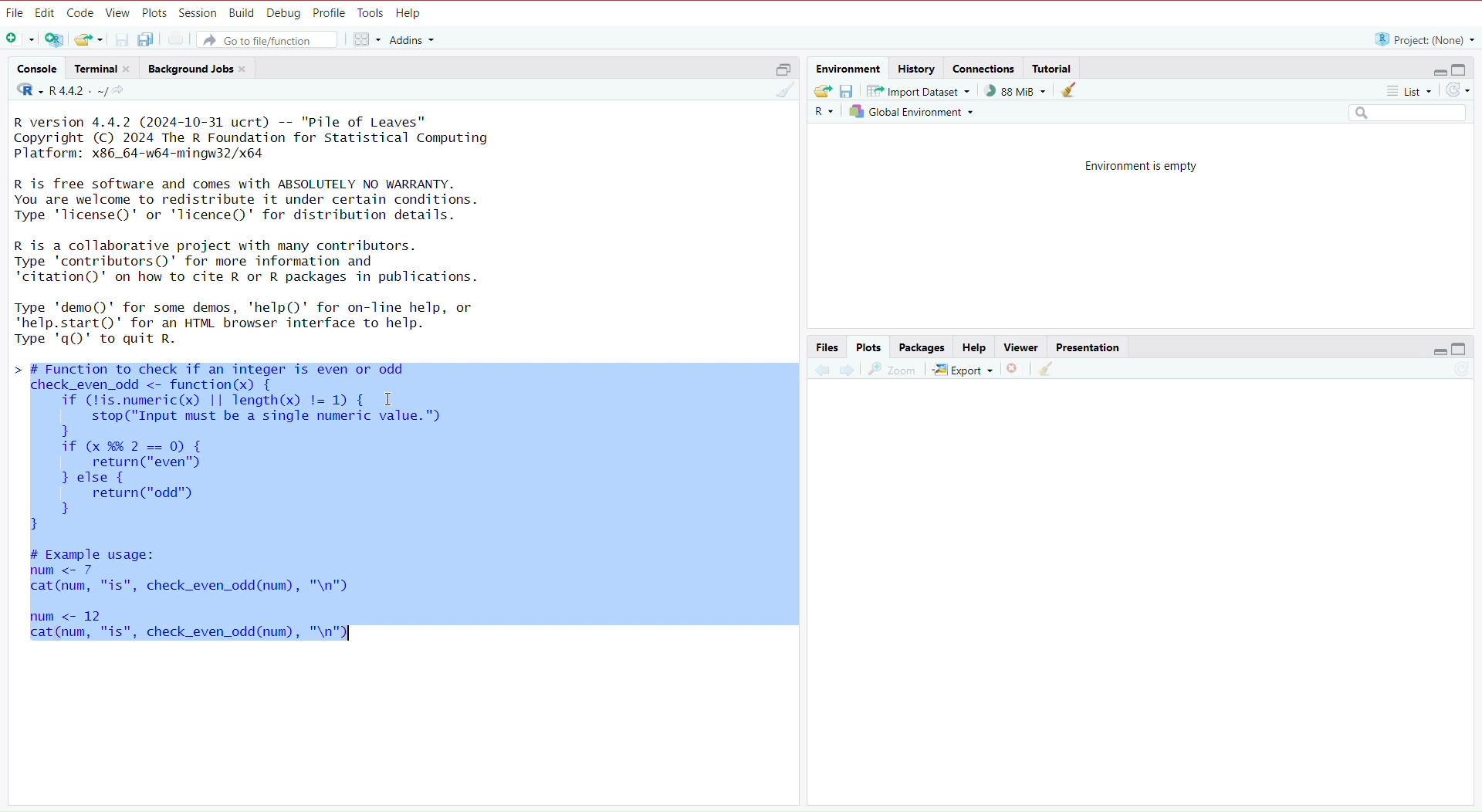 The image size is (1482, 812). I want to click on backward, so click(821, 374).